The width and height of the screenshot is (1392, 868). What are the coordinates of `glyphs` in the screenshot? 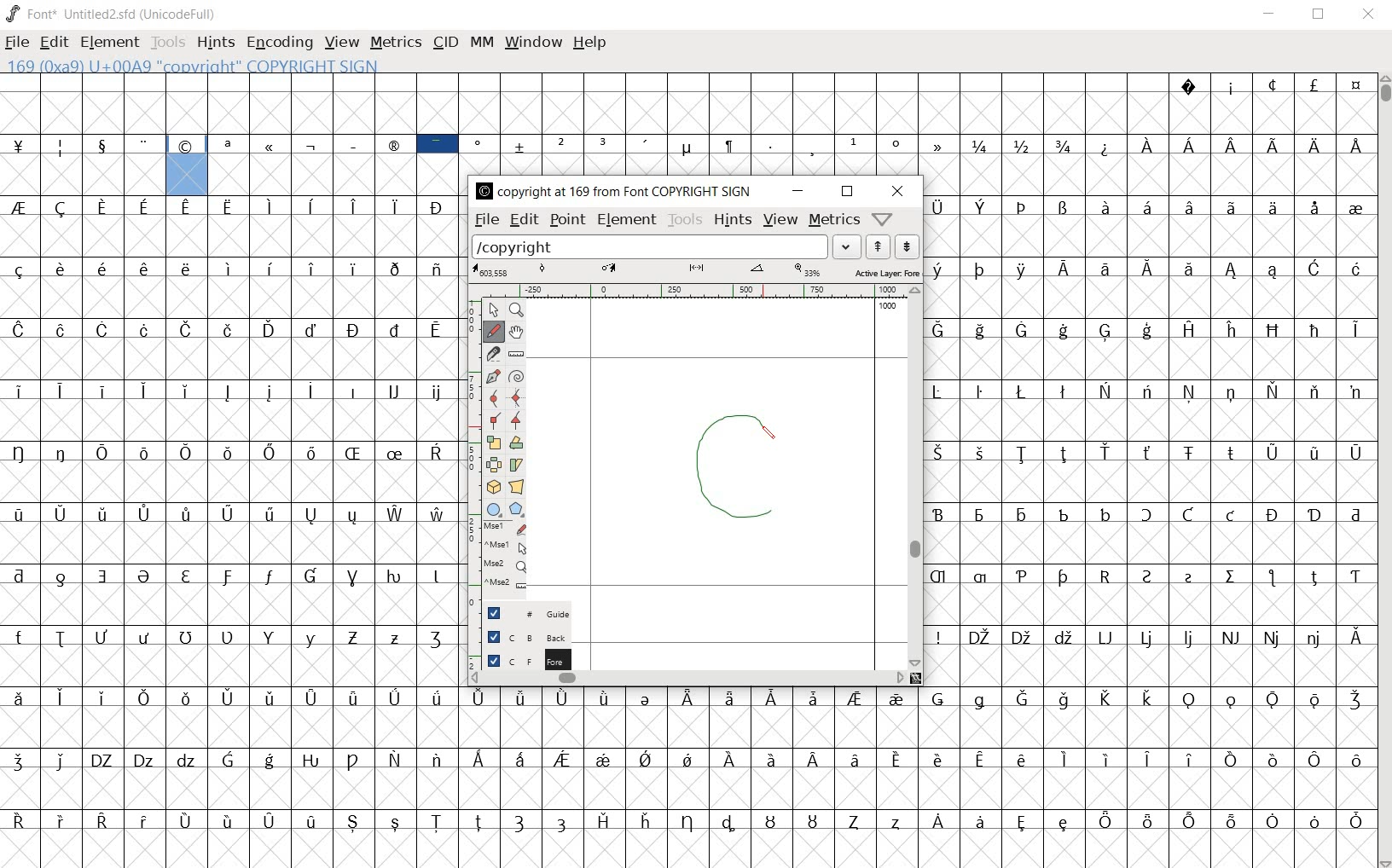 It's located at (228, 532).